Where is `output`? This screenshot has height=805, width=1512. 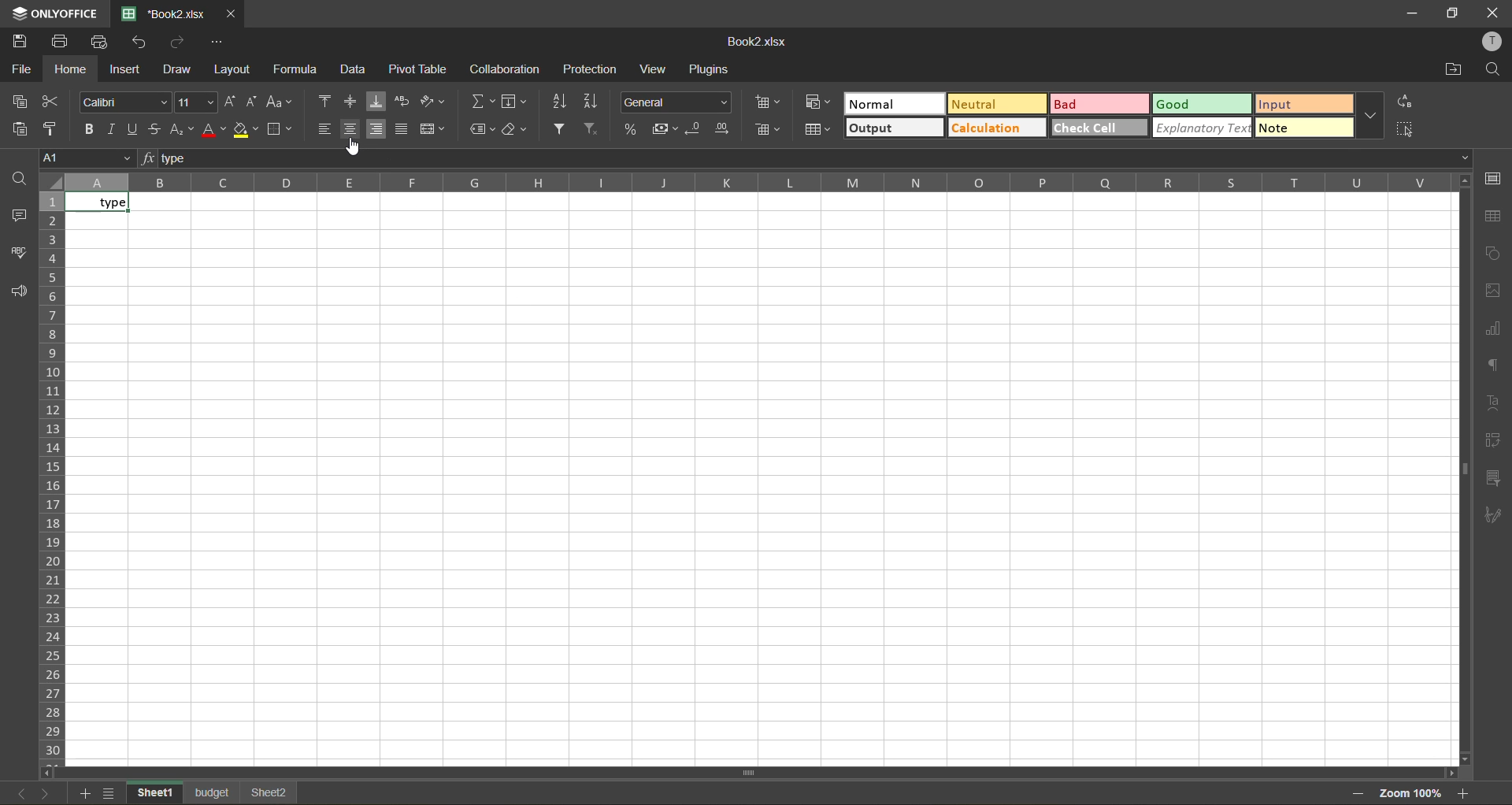
output is located at coordinates (892, 129).